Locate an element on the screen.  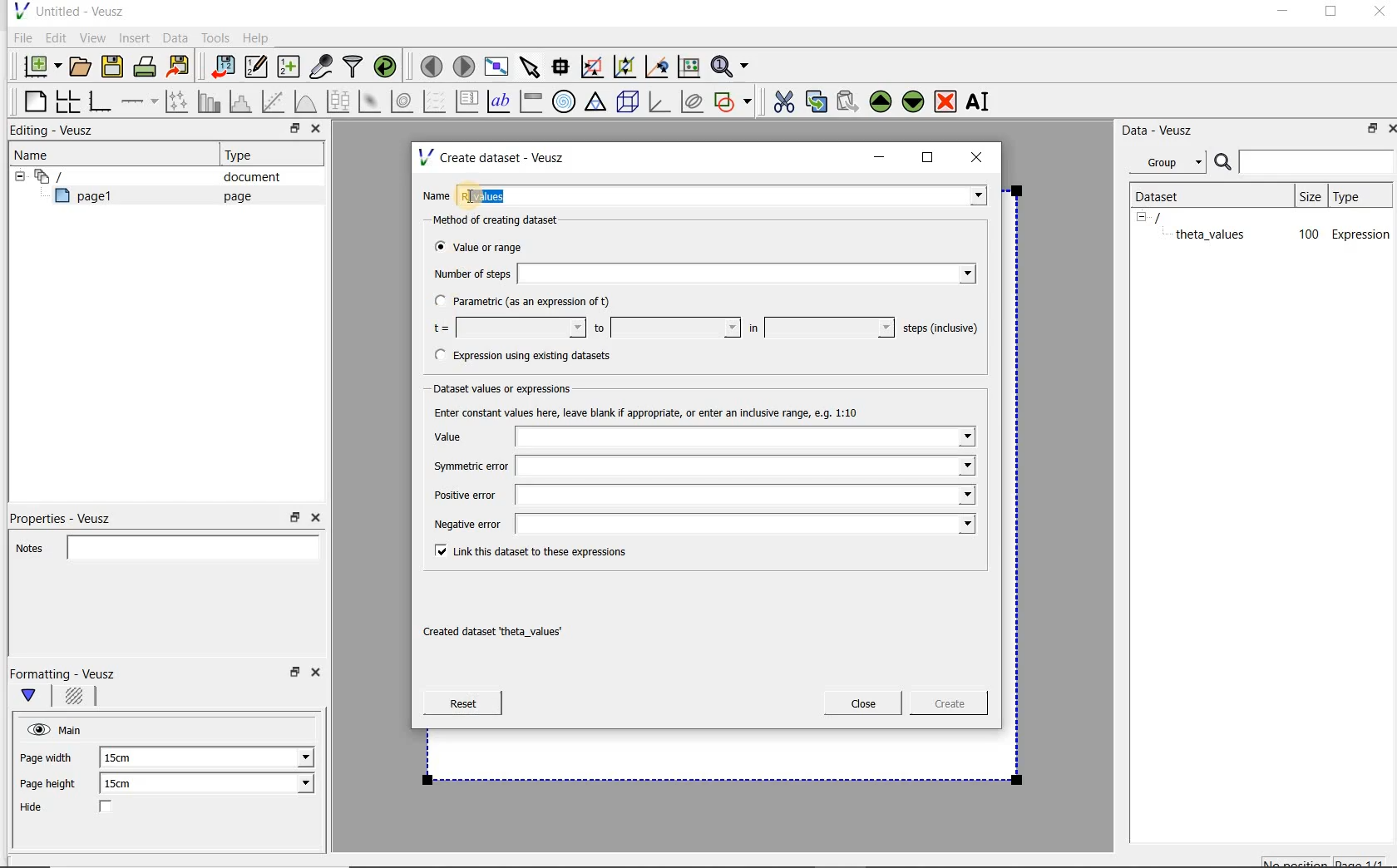
Tools is located at coordinates (214, 38).